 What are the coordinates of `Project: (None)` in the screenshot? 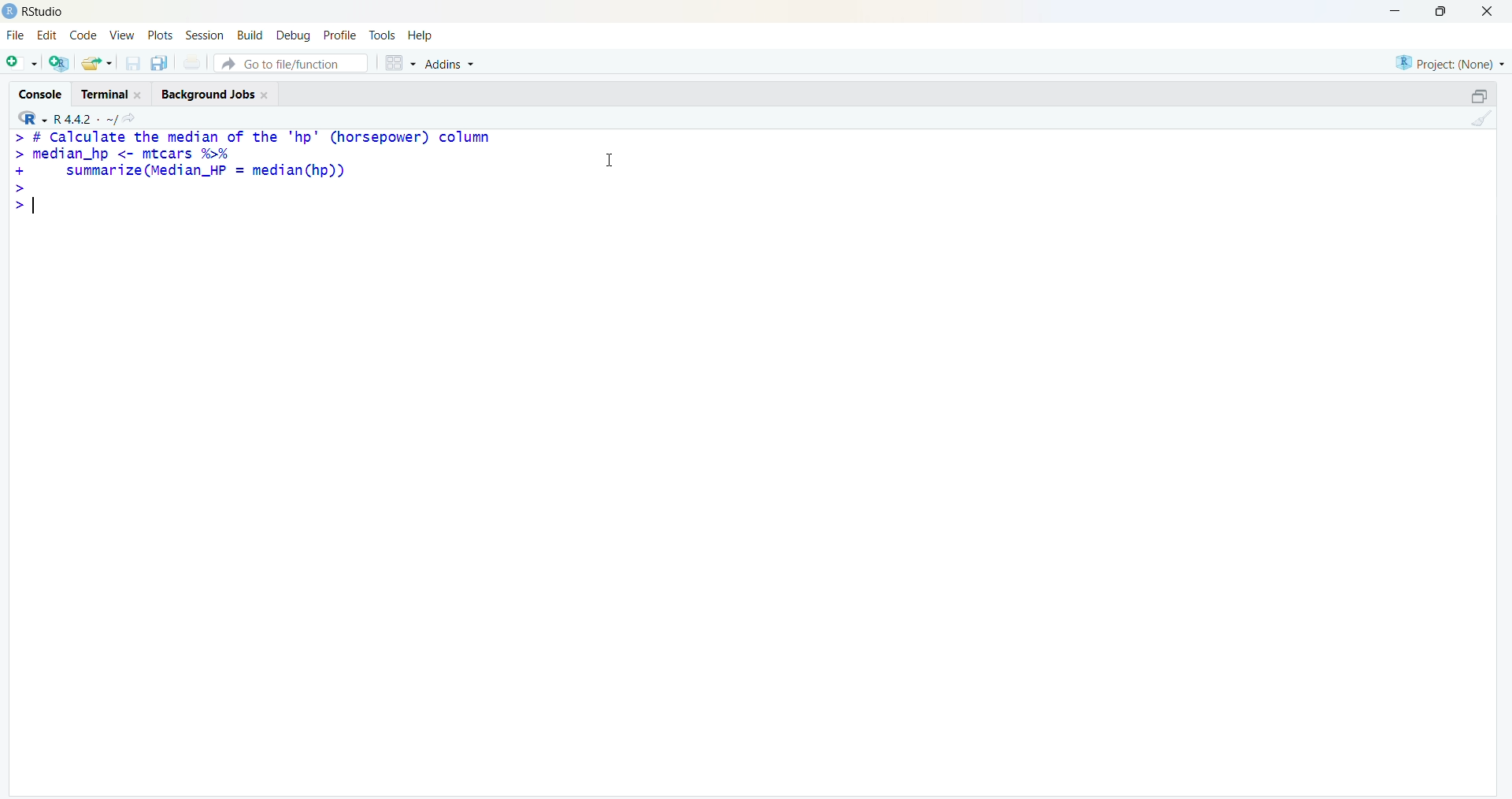 It's located at (1450, 63).